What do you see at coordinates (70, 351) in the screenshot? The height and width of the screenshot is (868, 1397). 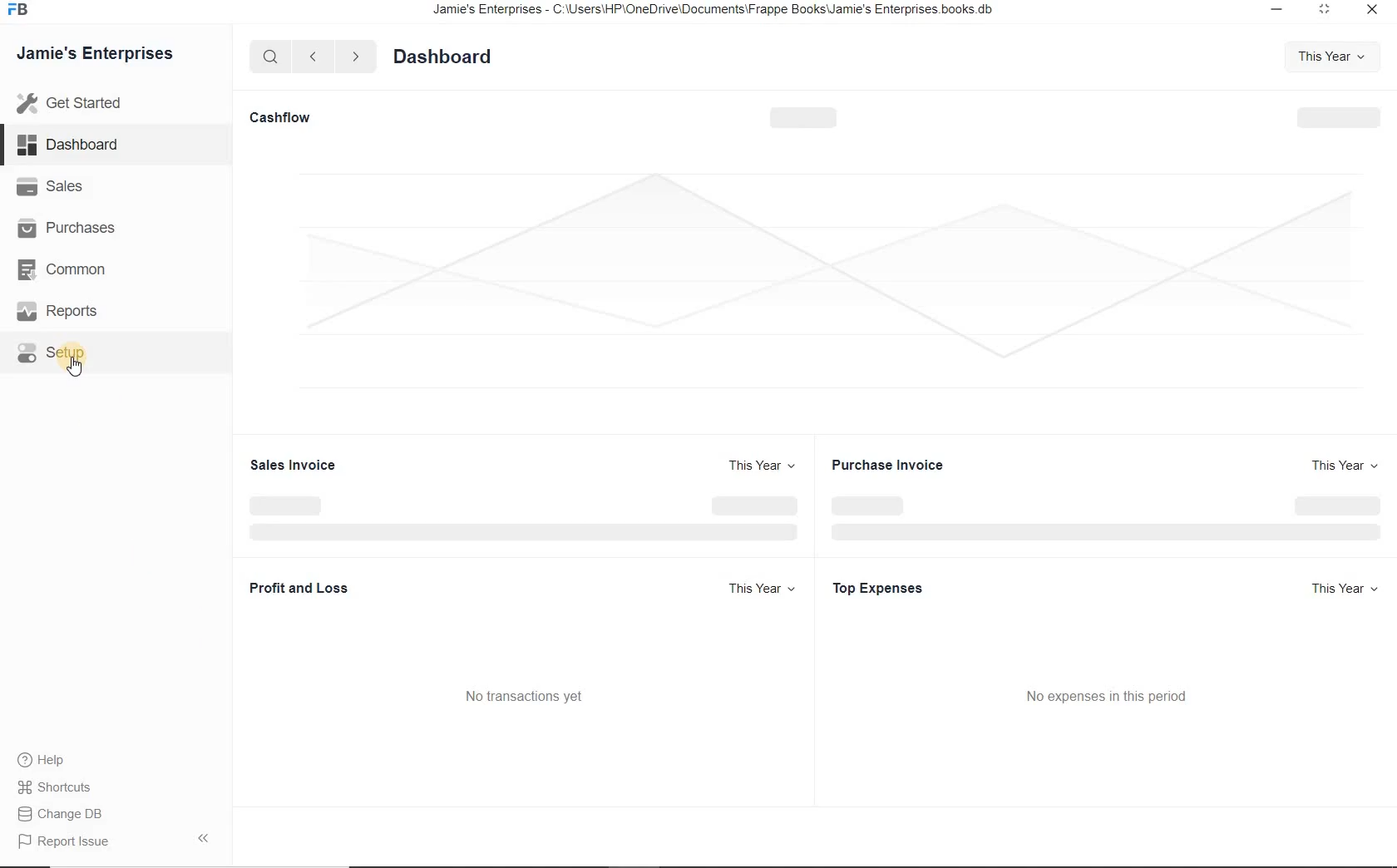 I see `Setup` at bounding box center [70, 351].